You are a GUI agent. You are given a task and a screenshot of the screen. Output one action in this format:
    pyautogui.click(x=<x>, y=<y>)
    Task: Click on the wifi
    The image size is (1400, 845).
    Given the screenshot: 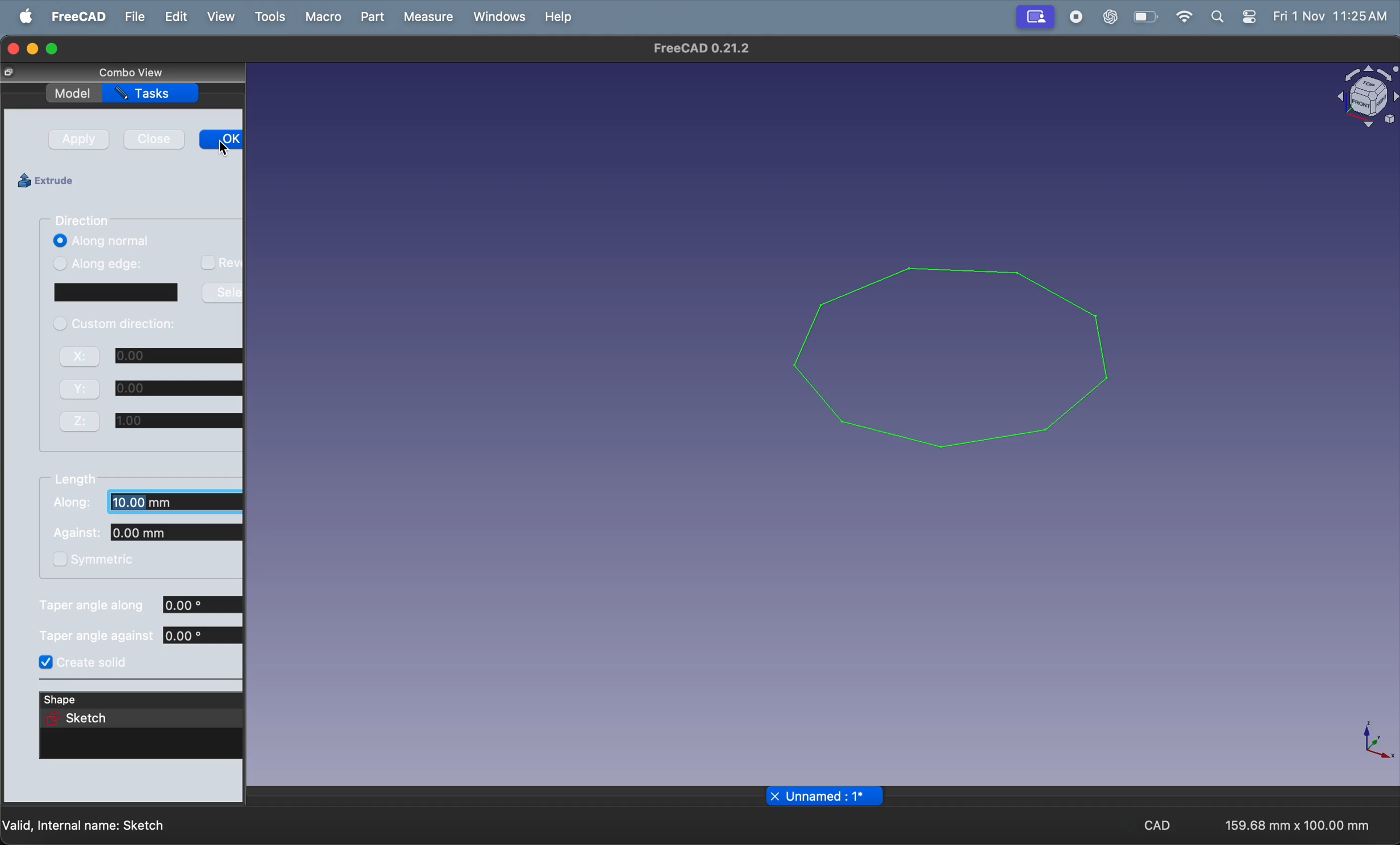 What is the action you would take?
    pyautogui.click(x=1181, y=16)
    